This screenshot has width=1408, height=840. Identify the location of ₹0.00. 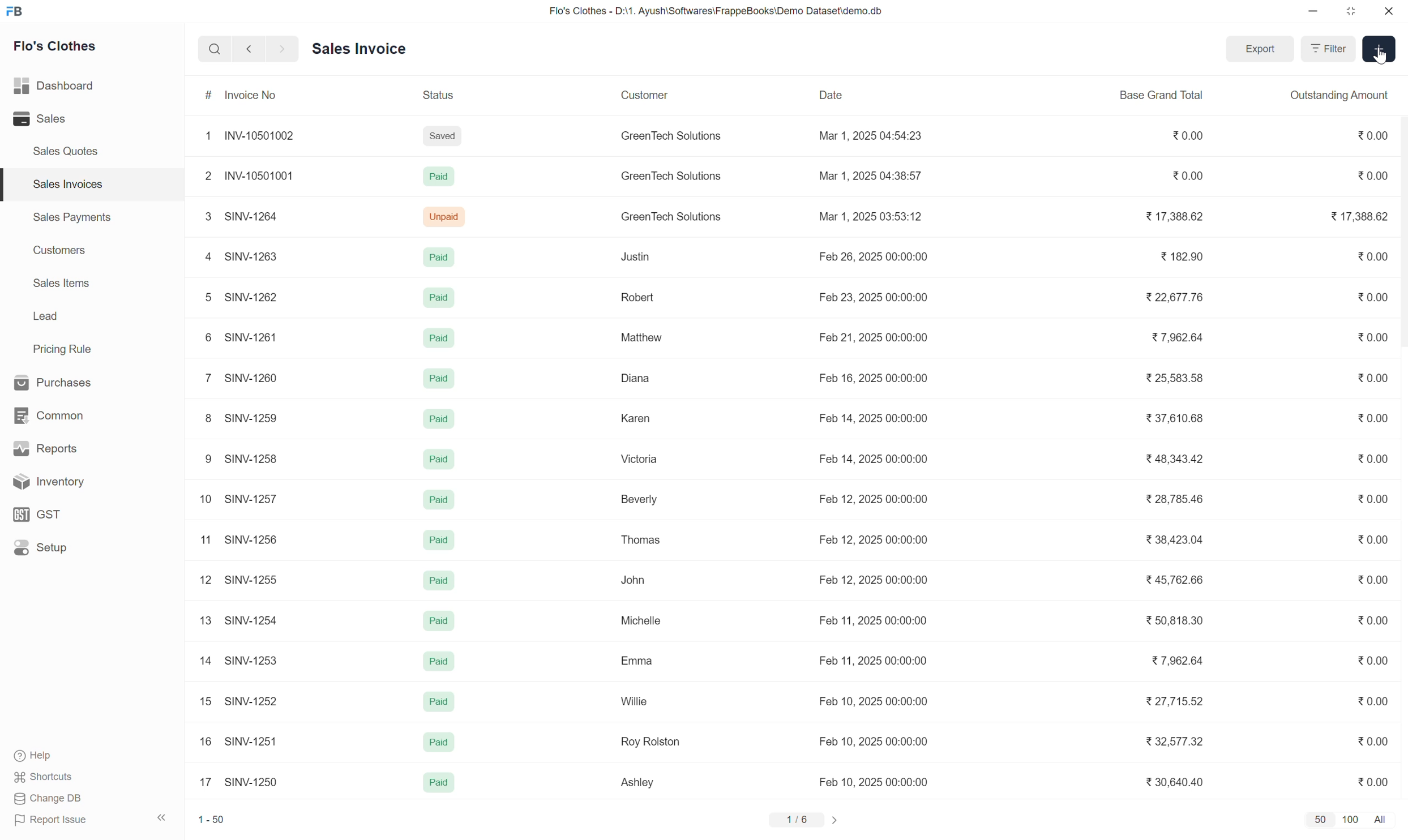
(1369, 742).